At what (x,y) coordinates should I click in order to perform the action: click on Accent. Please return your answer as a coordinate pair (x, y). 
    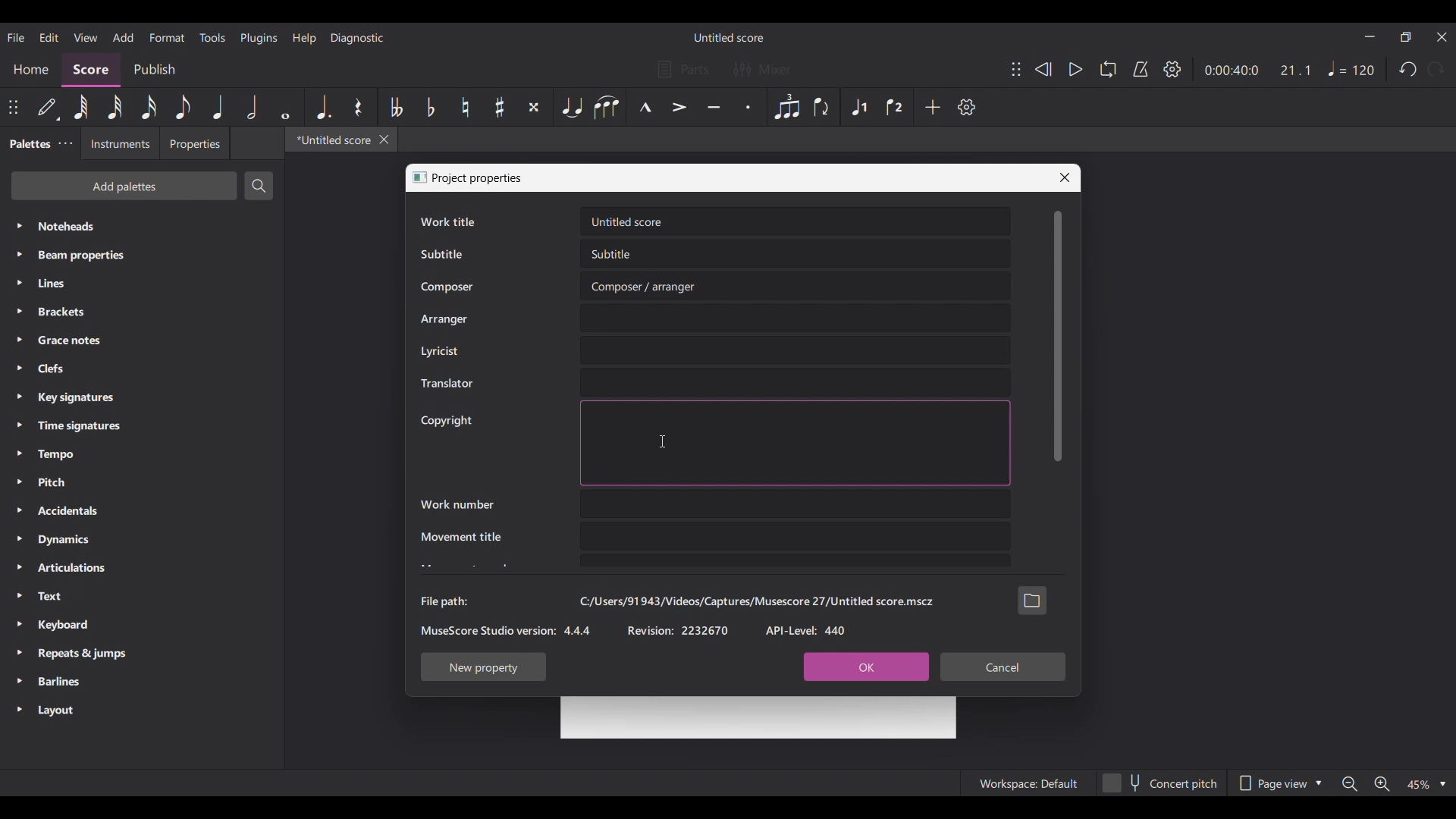
    Looking at the image, I should click on (679, 107).